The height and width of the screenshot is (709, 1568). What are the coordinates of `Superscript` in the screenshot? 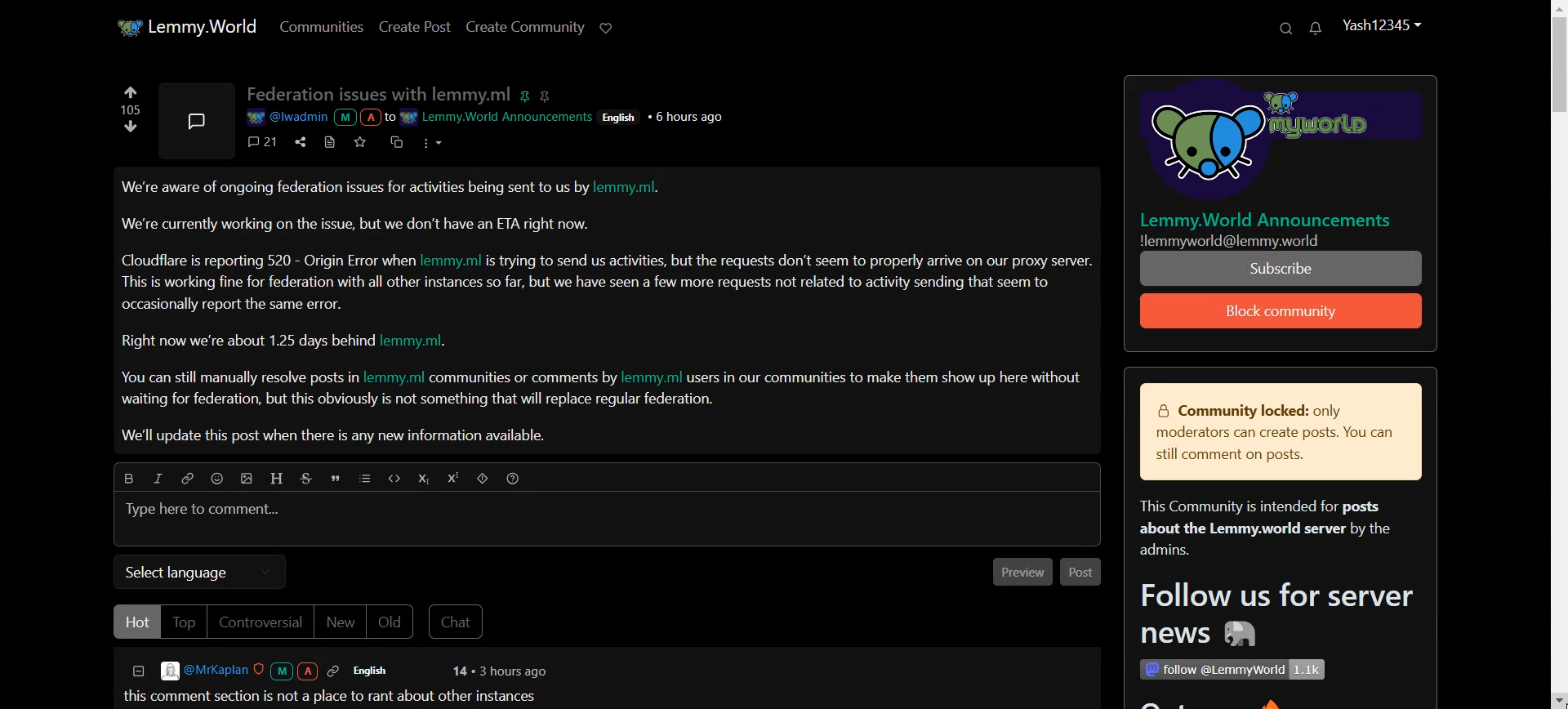 It's located at (452, 479).